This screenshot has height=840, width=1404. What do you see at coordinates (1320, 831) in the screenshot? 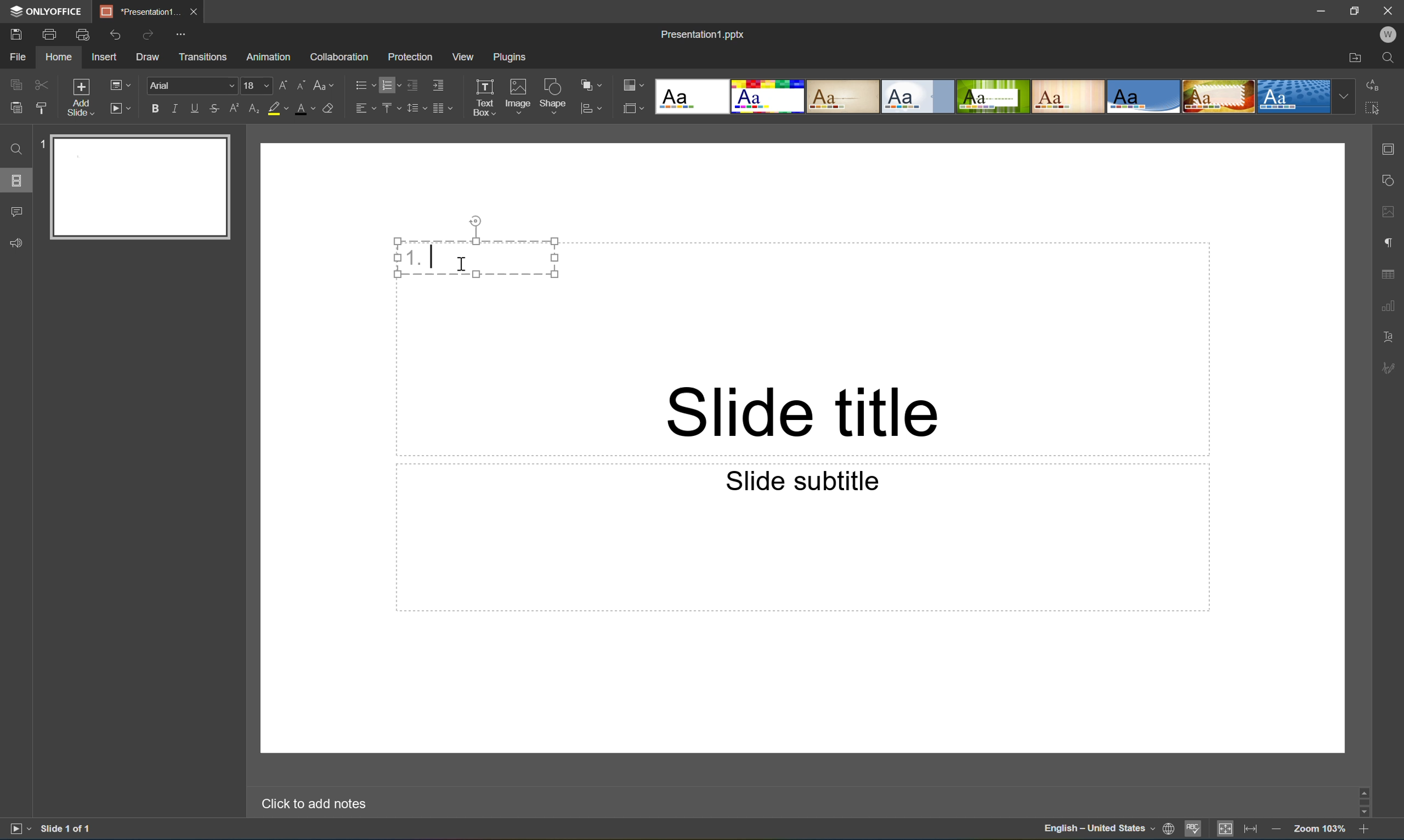
I see `Zoom 103%` at bounding box center [1320, 831].